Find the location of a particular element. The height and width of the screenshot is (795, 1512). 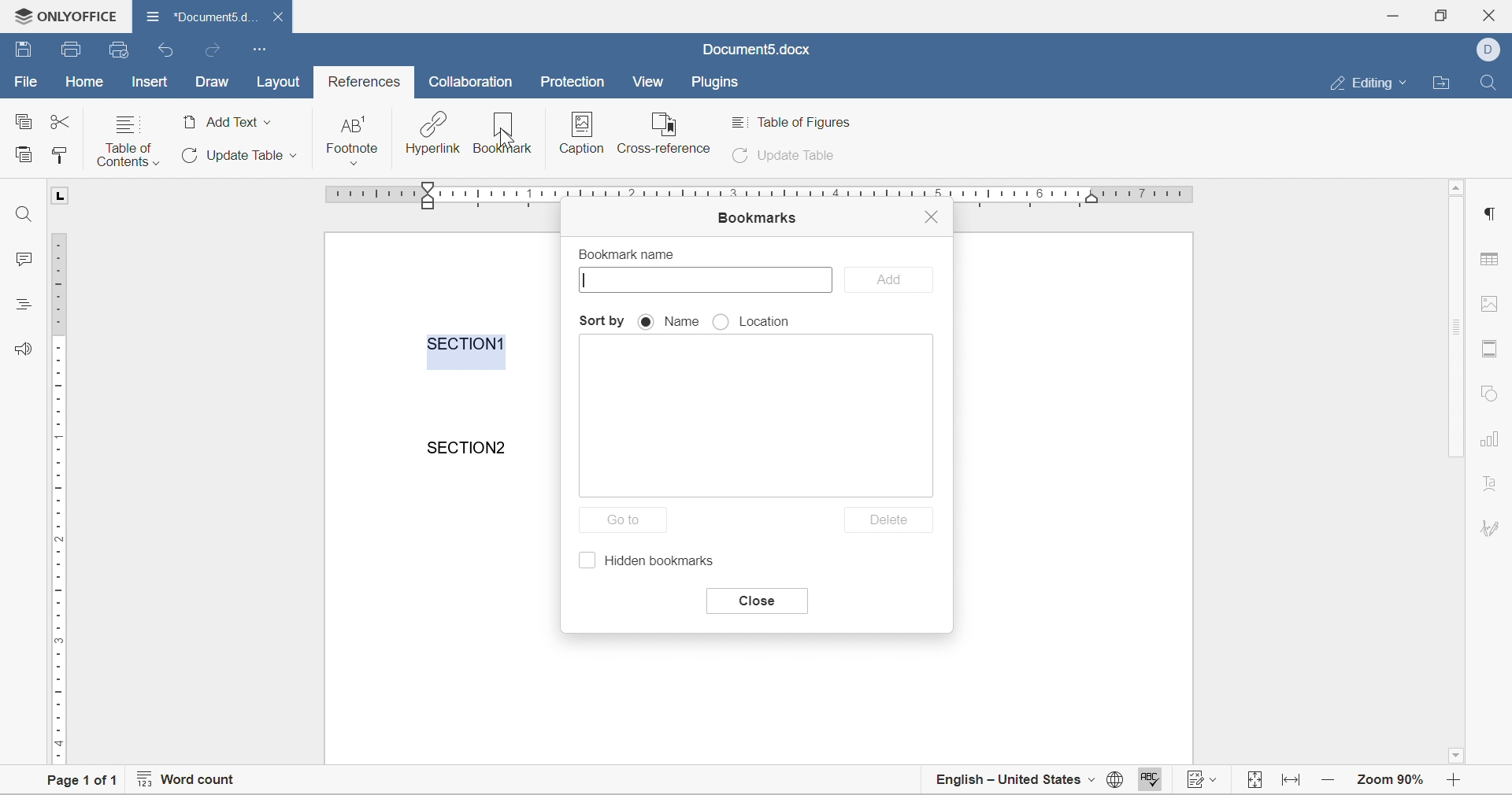

footnote is located at coordinates (354, 139).